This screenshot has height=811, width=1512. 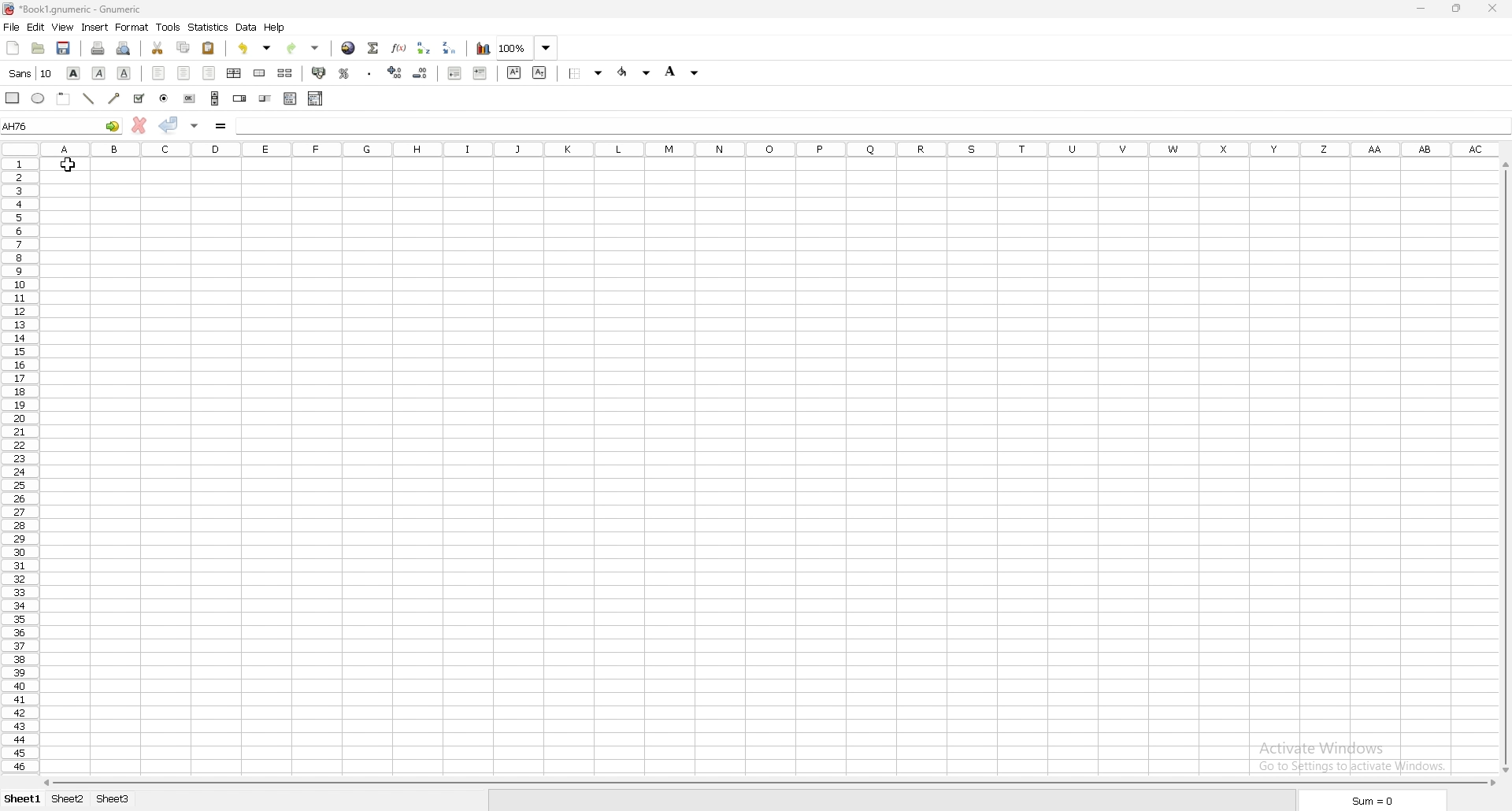 What do you see at coordinates (168, 26) in the screenshot?
I see `tools` at bounding box center [168, 26].